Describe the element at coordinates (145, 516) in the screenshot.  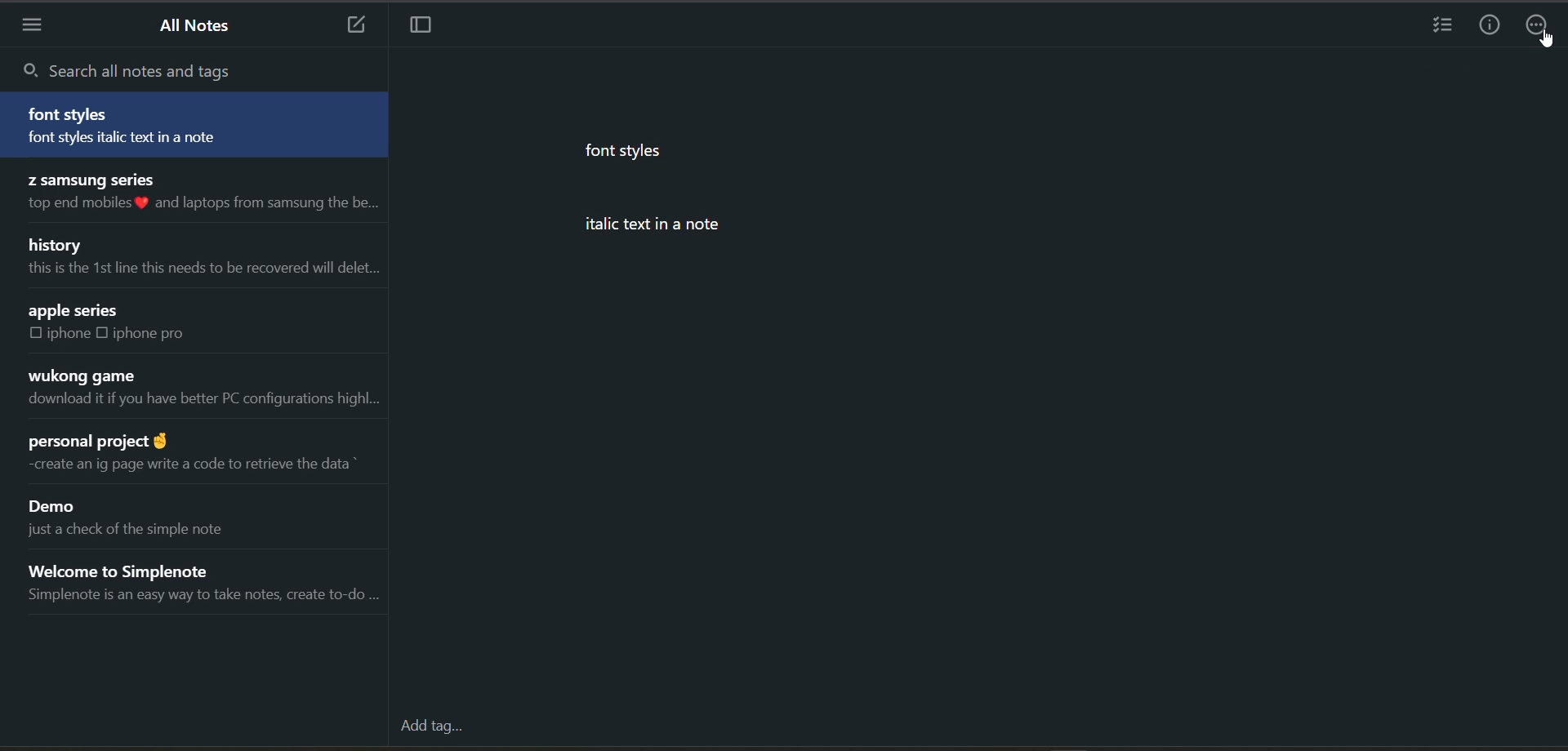
I see `note title and preview` at that location.